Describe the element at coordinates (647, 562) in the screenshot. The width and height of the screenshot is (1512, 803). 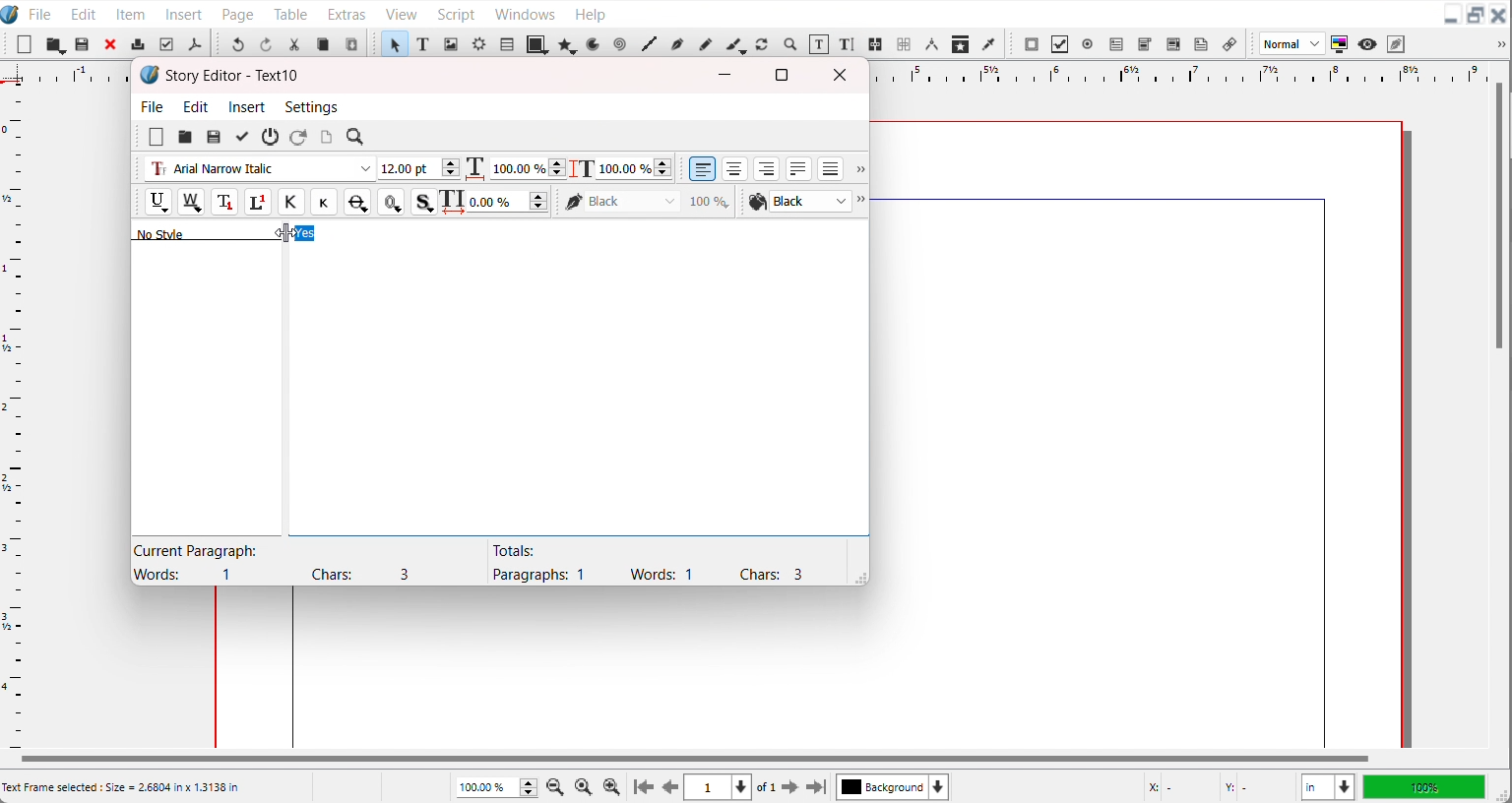
I see `Text` at that location.